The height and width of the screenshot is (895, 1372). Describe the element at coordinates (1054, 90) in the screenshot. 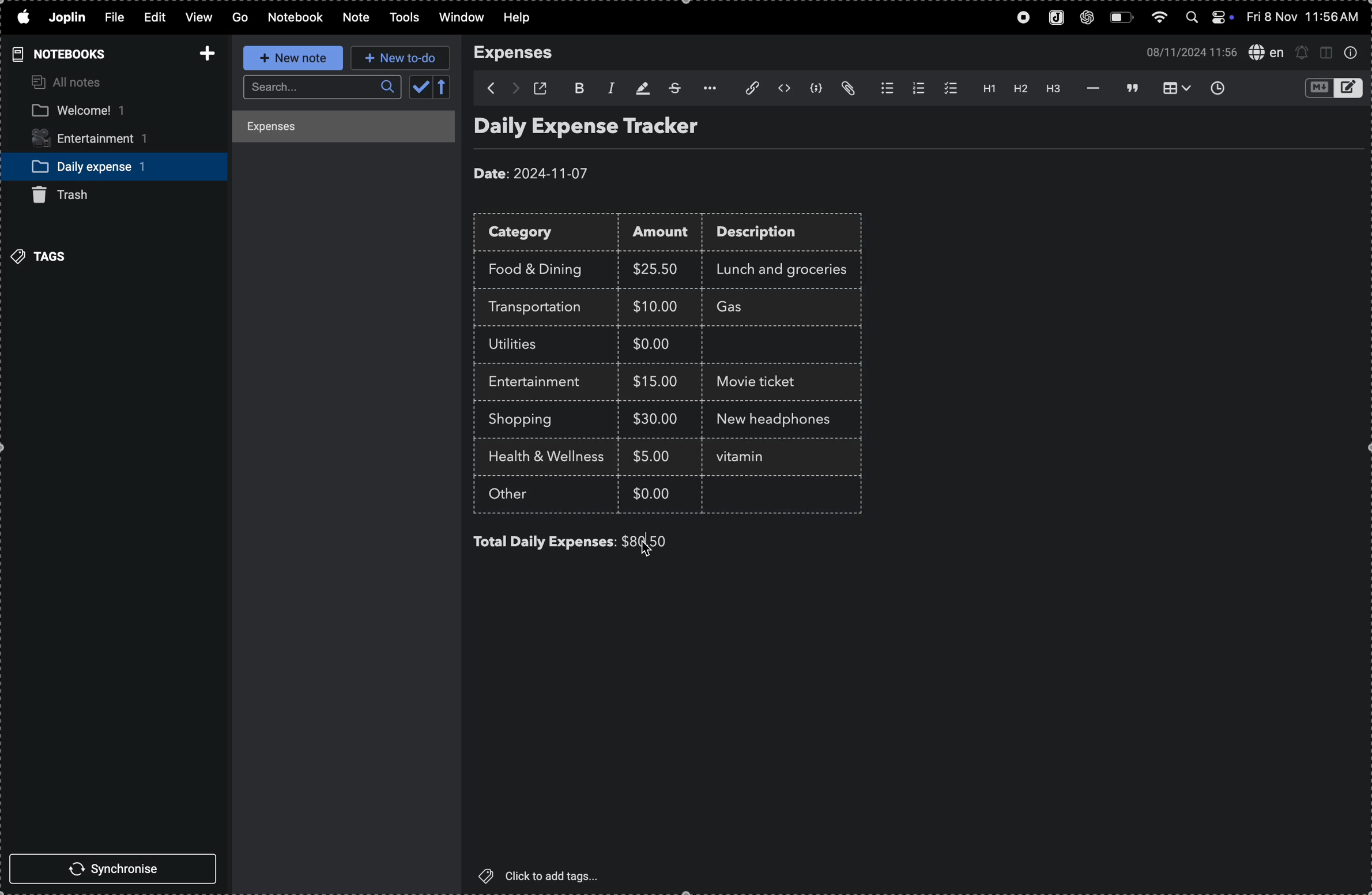

I see `heading 3` at that location.